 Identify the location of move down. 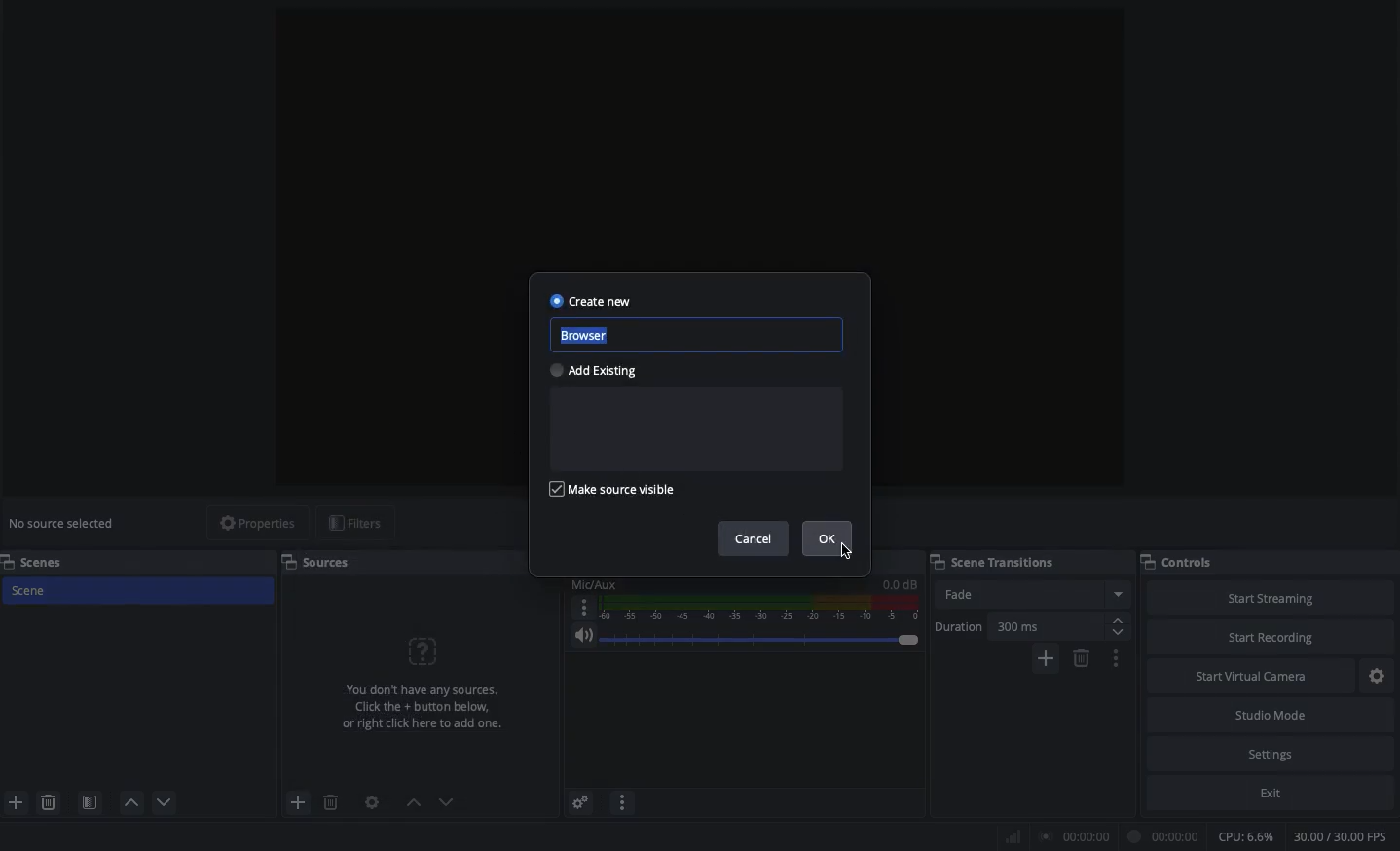
(170, 799).